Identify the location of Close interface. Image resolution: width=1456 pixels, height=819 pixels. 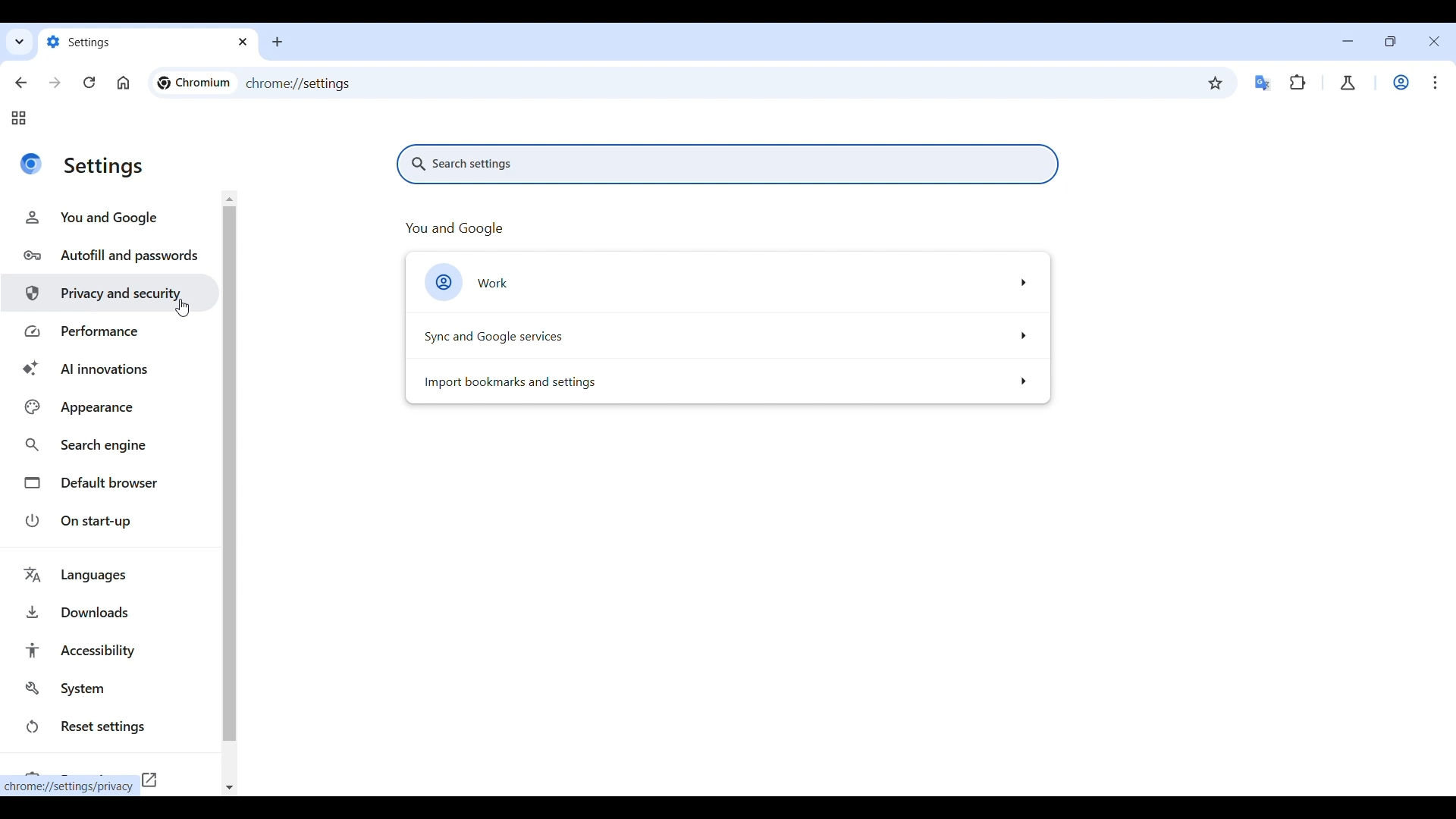
(1435, 41).